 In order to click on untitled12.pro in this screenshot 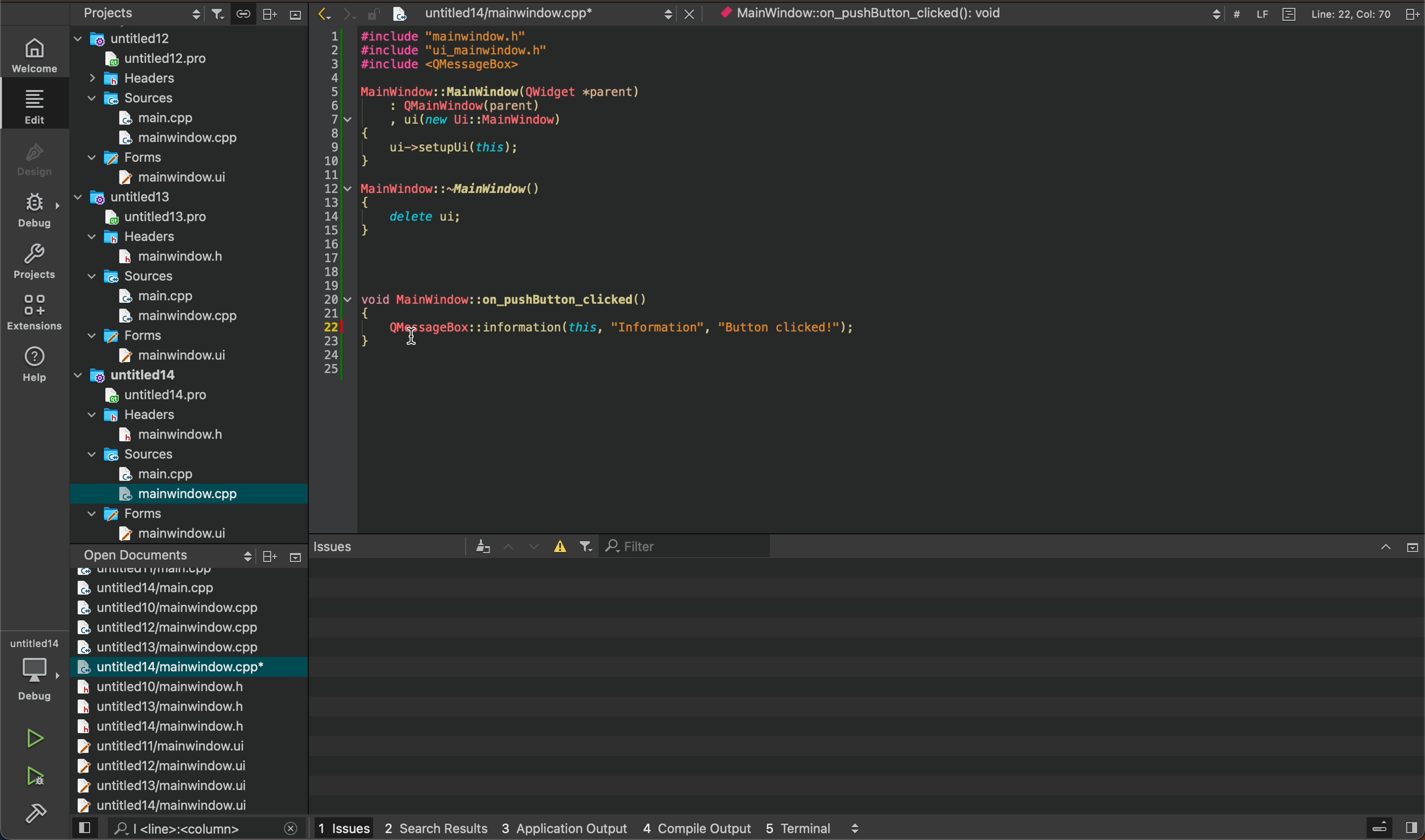, I will do `click(180, 60)`.